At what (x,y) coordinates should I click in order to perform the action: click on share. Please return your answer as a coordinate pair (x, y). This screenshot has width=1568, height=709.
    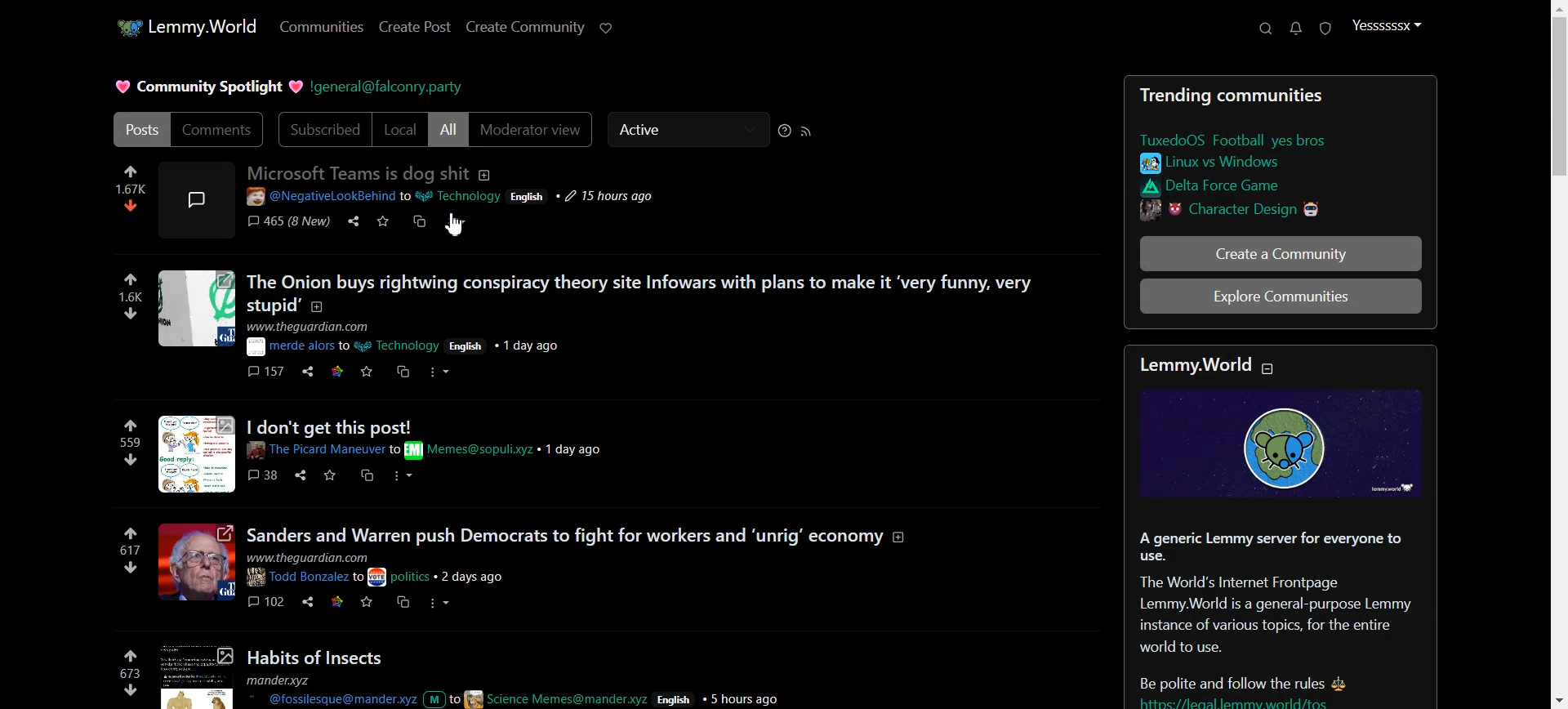
    Looking at the image, I should click on (308, 373).